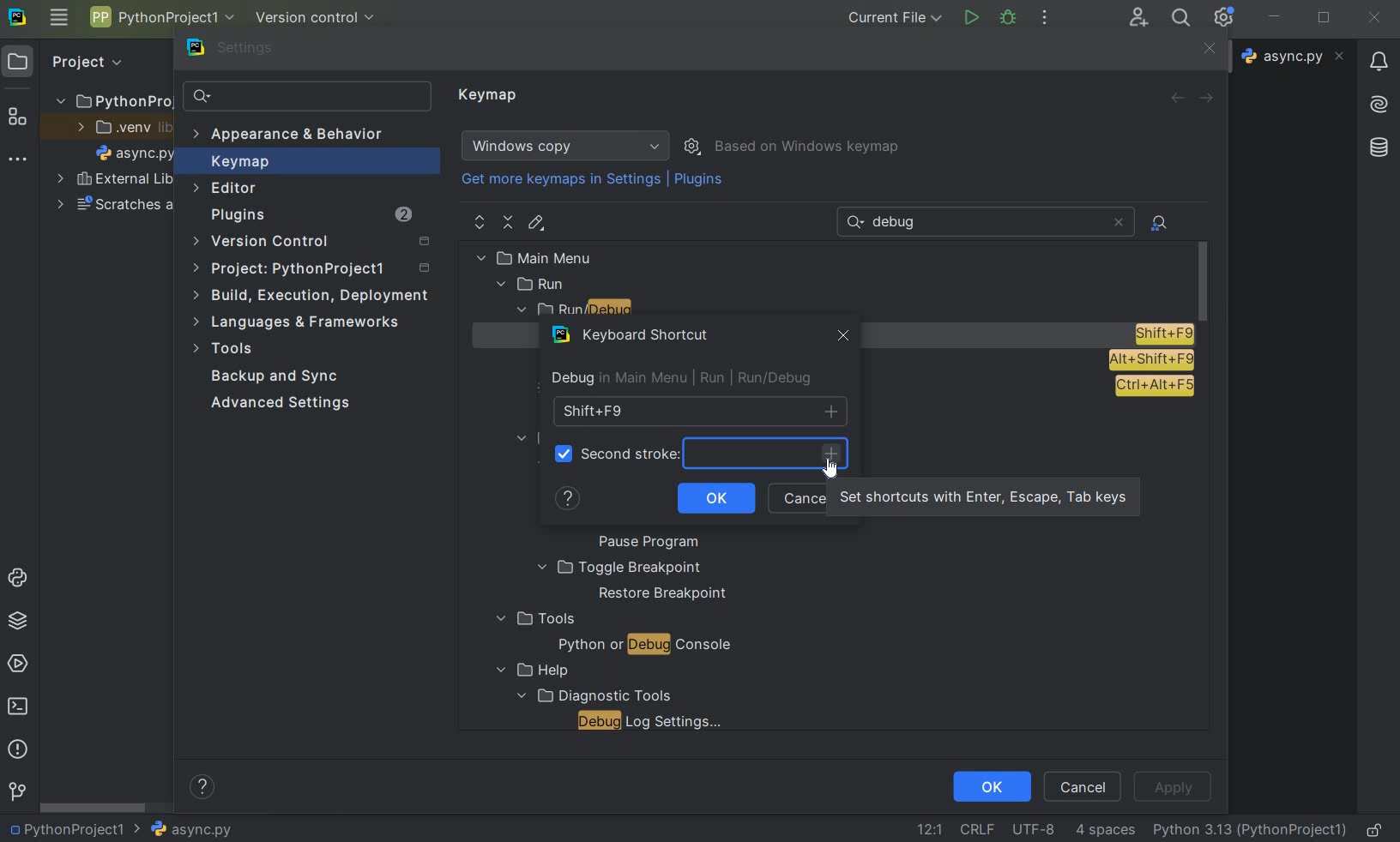  Describe the element at coordinates (701, 183) in the screenshot. I see `plugins` at that location.